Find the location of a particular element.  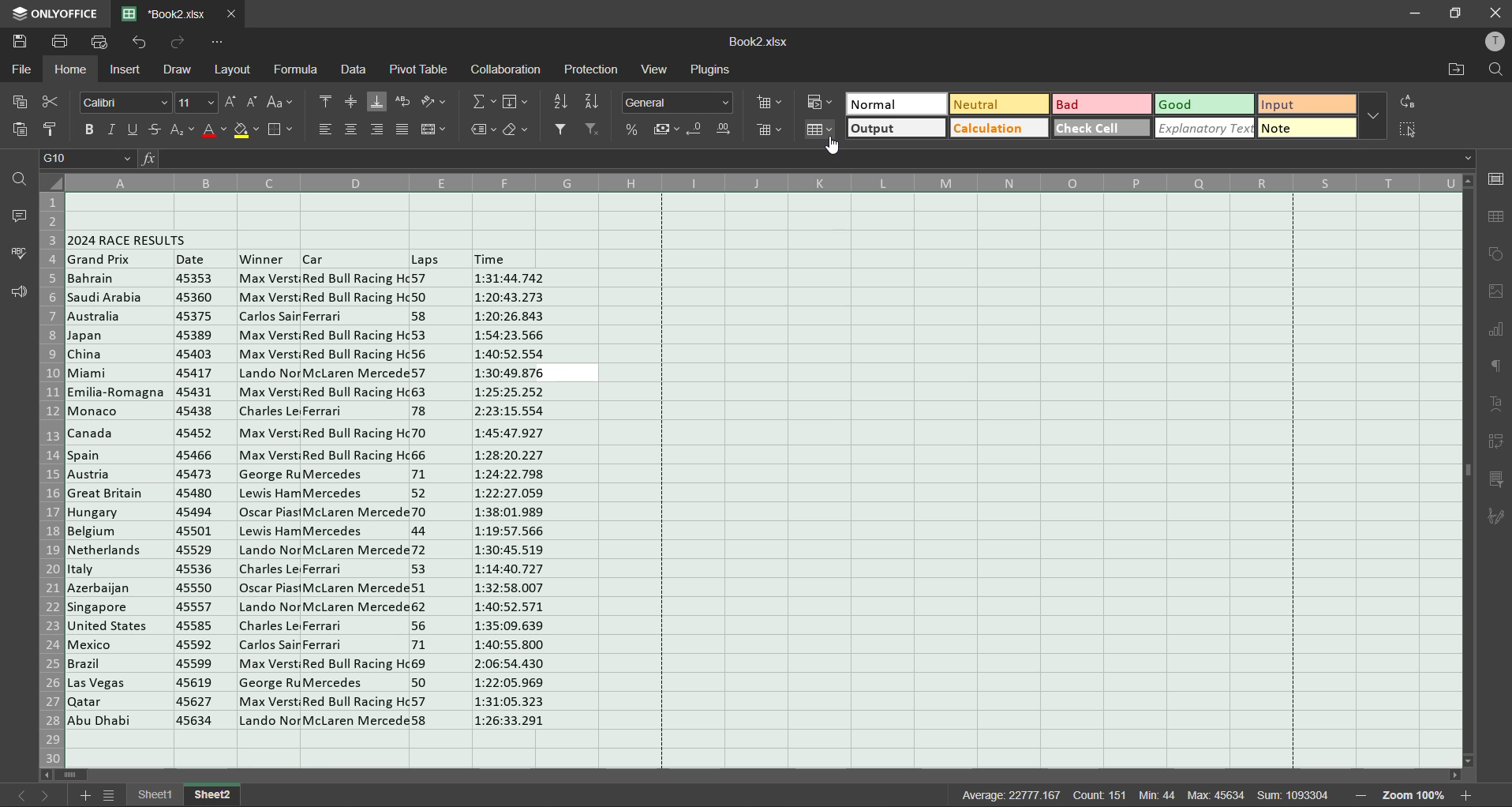

borders is located at coordinates (282, 132).